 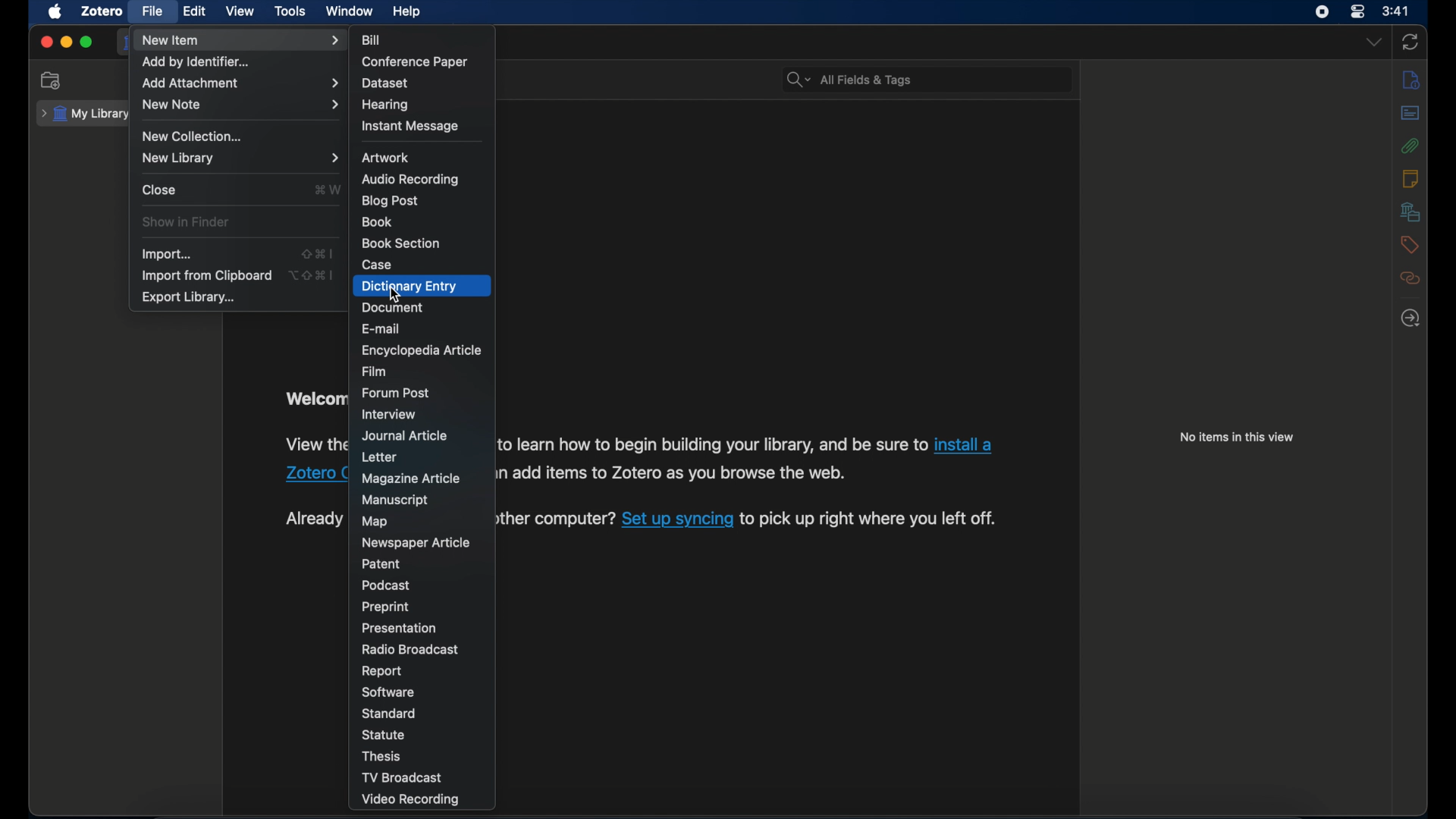 What do you see at coordinates (161, 190) in the screenshot?
I see `close` at bounding box center [161, 190].